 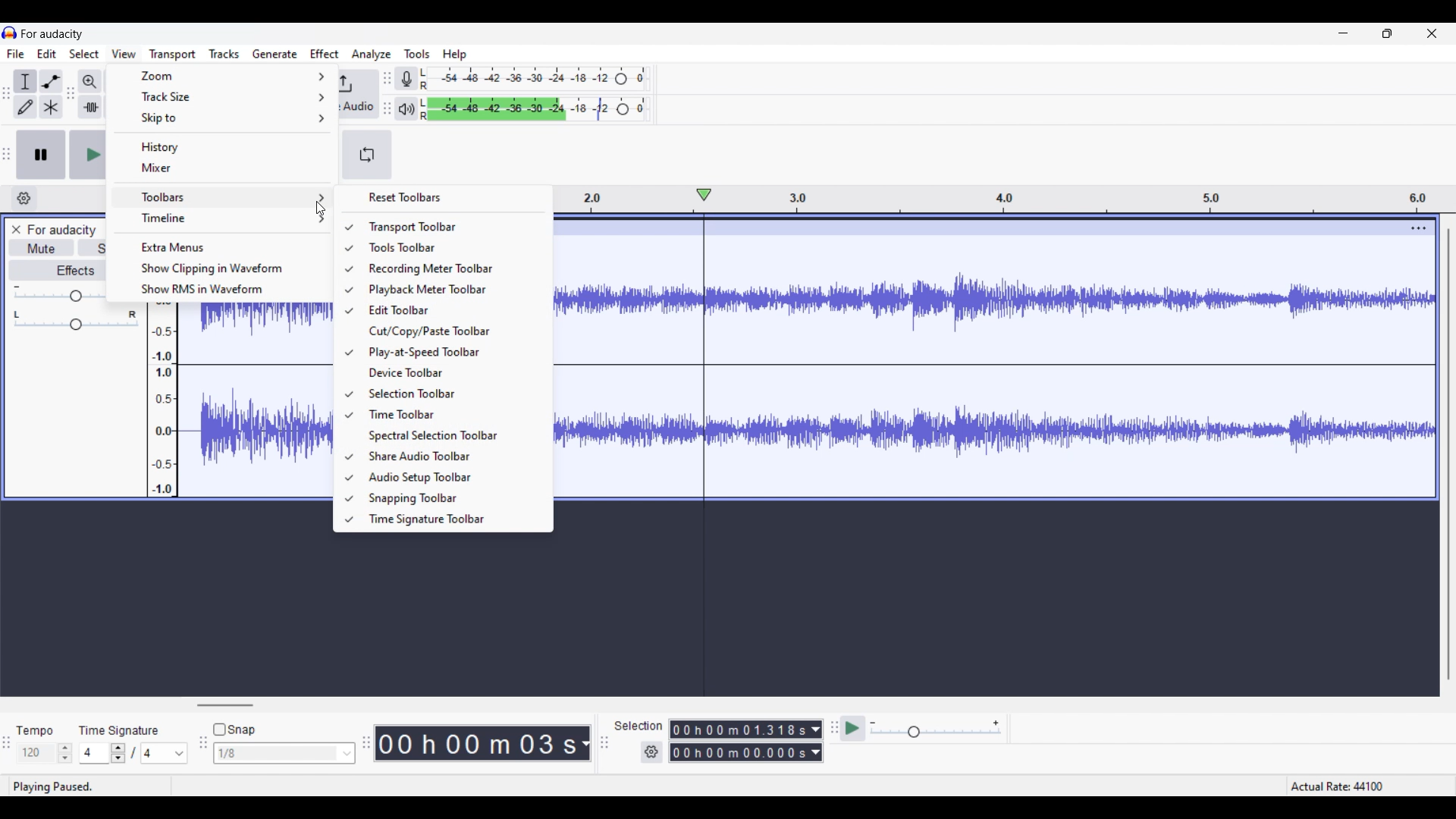 What do you see at coordinates (449, 226) in the screenshot?
I see `Transport toolbar` at bounding box center [449, 226].